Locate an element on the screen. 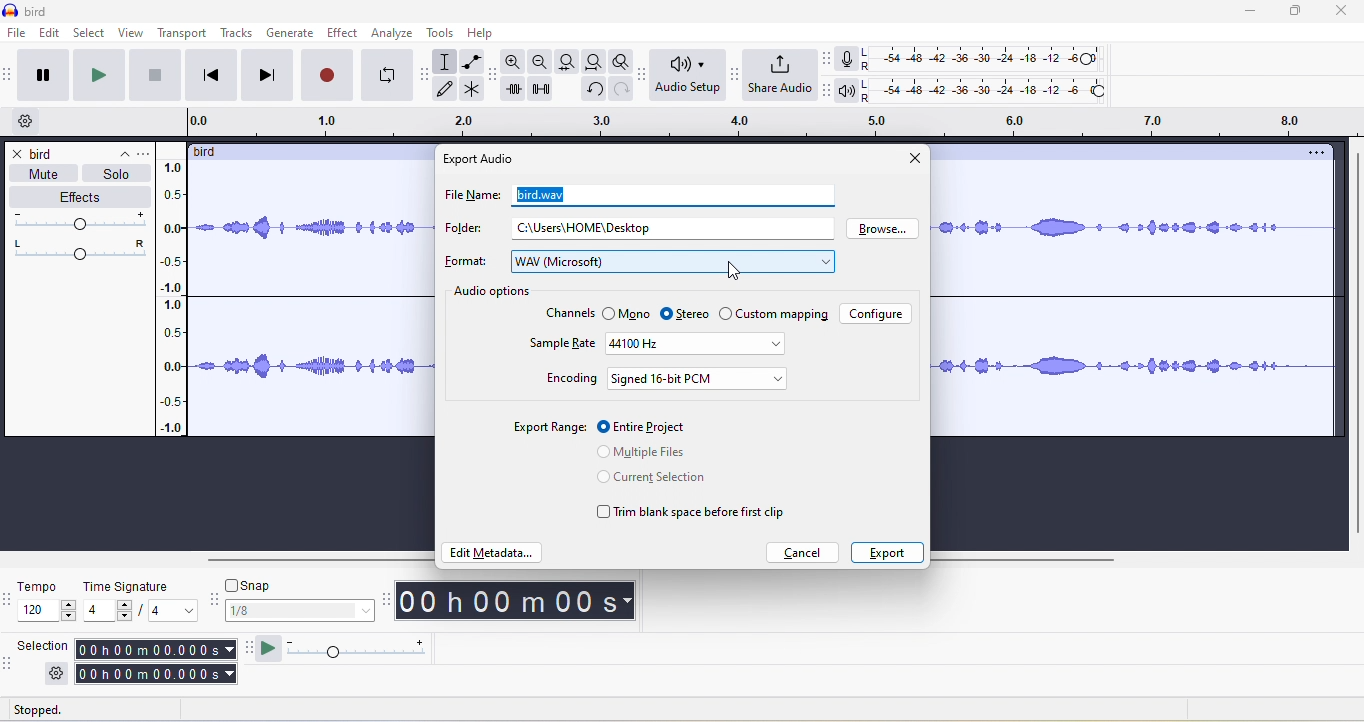 The width and height of the screenshot is (1364, 722). channels is located at coordinates (568, 314).